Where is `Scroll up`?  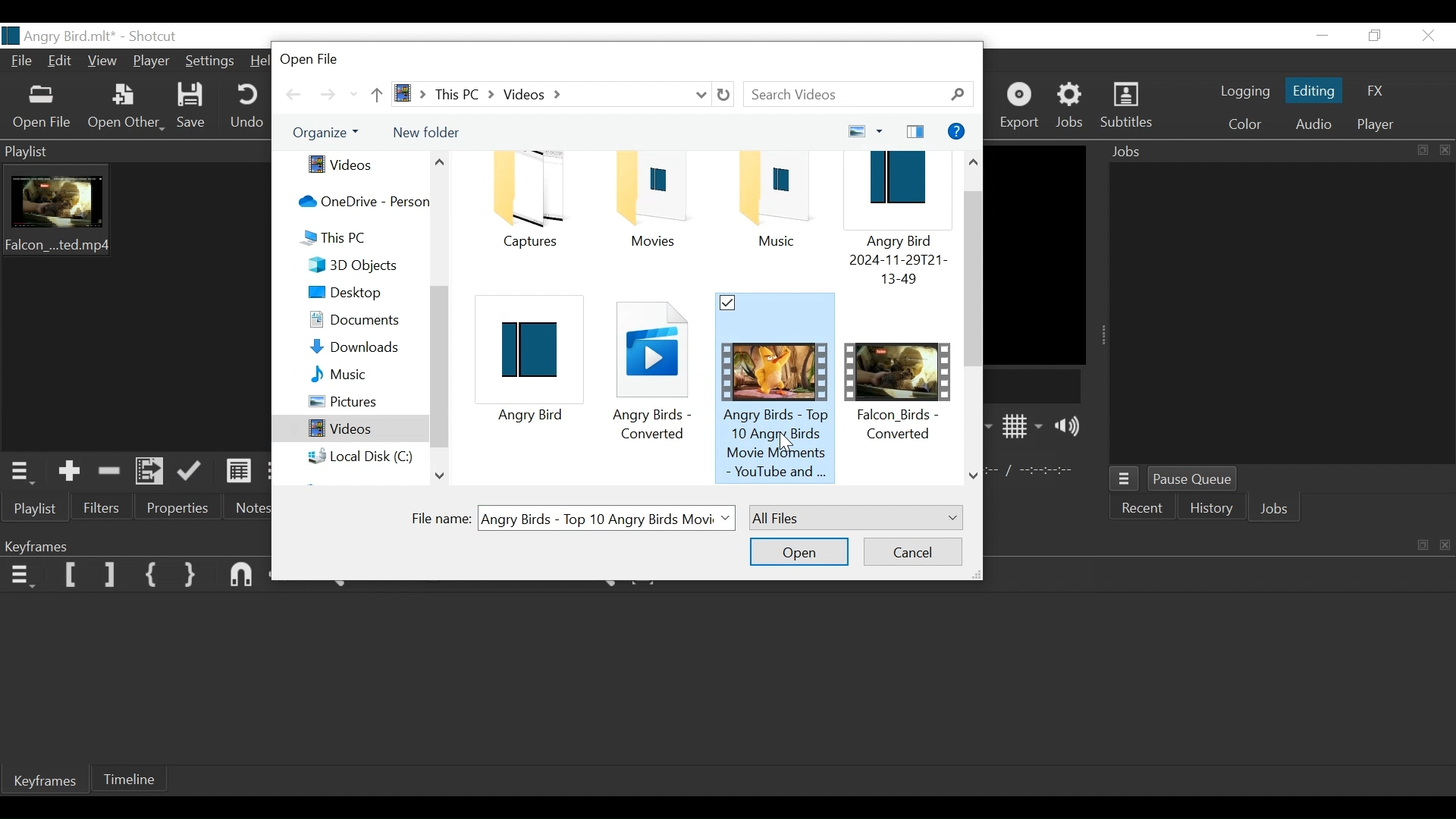
Scroll up is located at coordinates (438, 161).